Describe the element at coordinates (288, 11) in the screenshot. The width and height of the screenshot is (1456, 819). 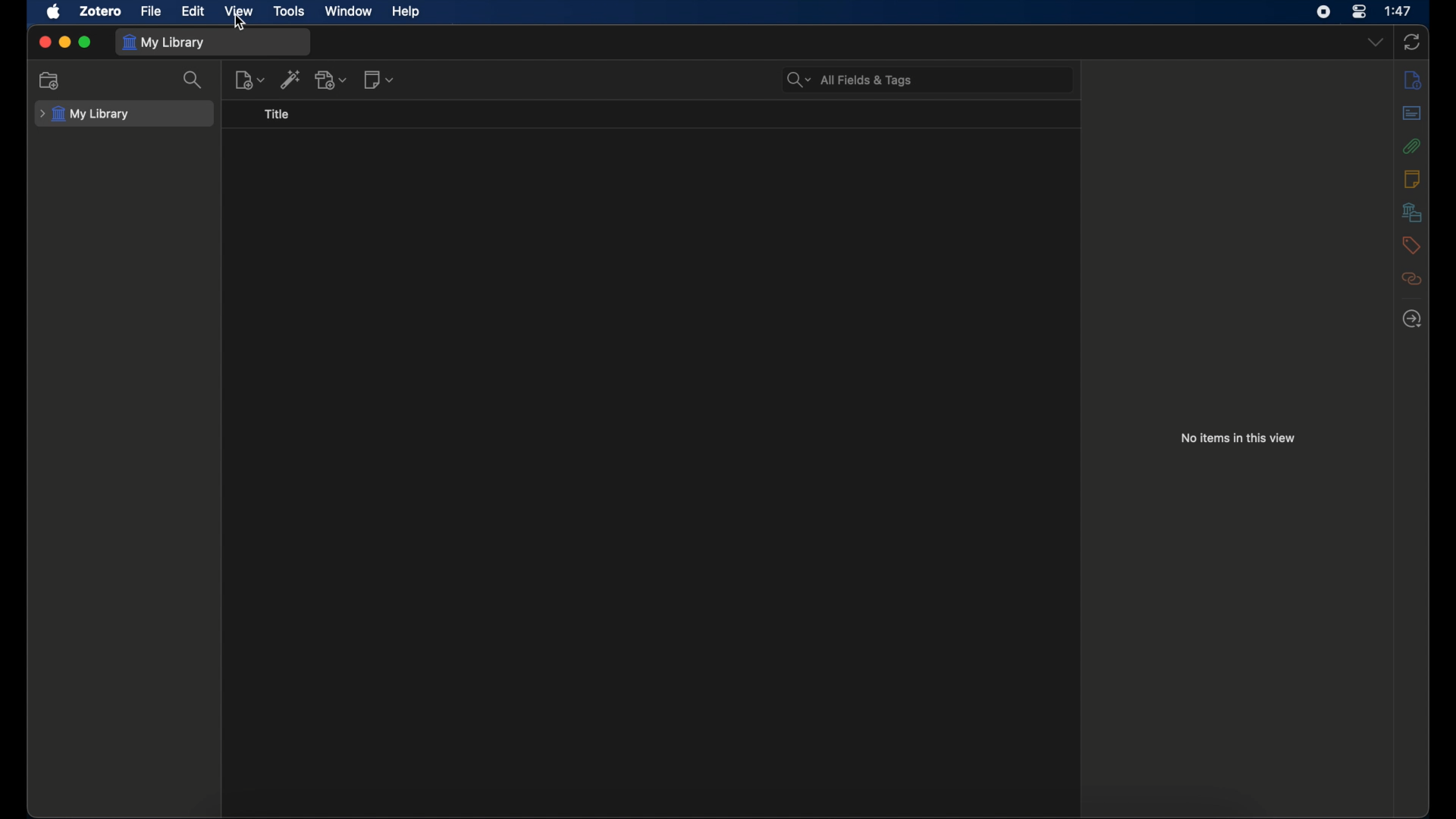
I see `tools` at that location.